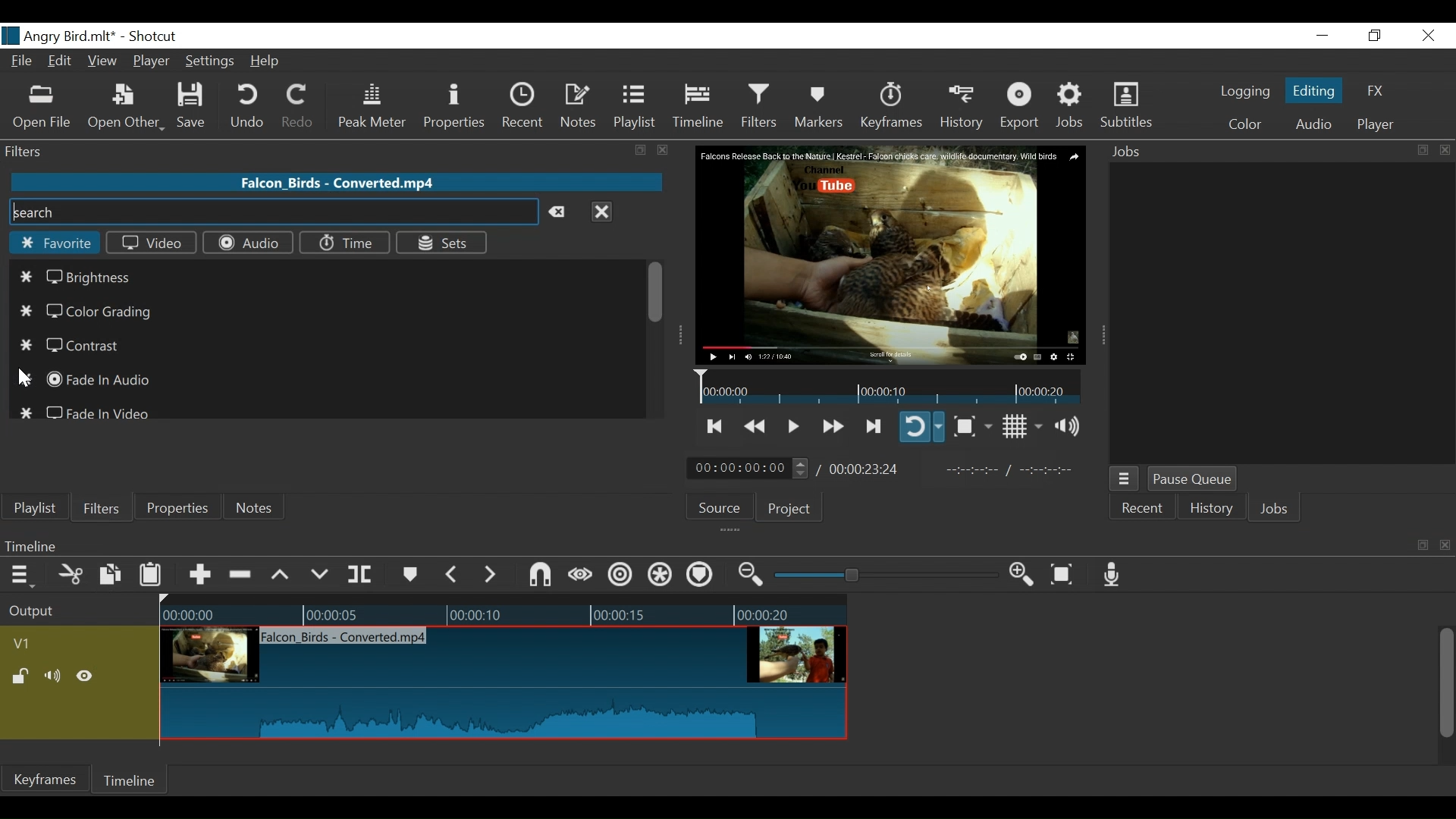  Describe the element at coordinates (240, 472) in the screenshot. I see `View as details` at that location.